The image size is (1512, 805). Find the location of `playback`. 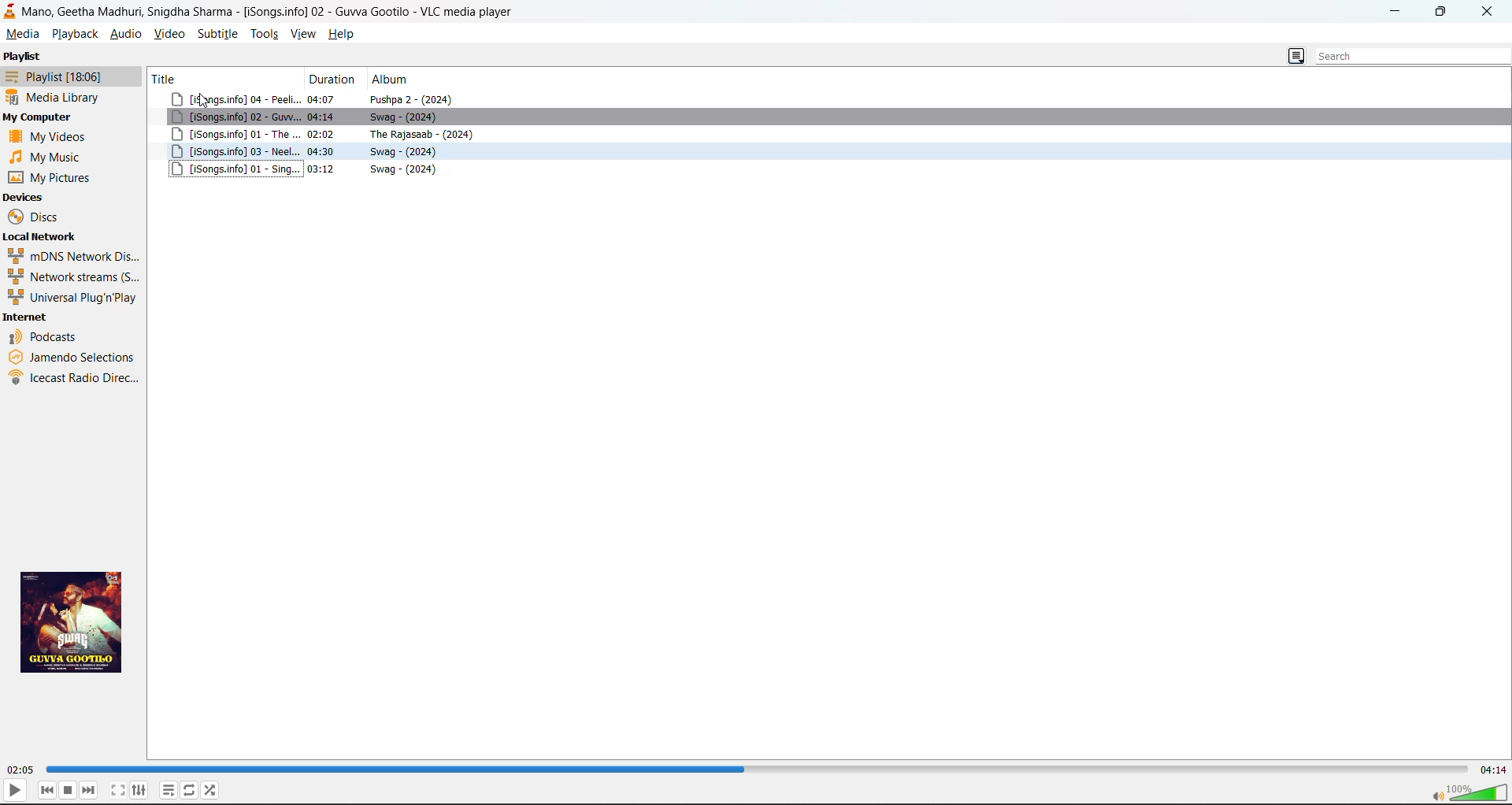

playback is located at coordinates (75, 35).